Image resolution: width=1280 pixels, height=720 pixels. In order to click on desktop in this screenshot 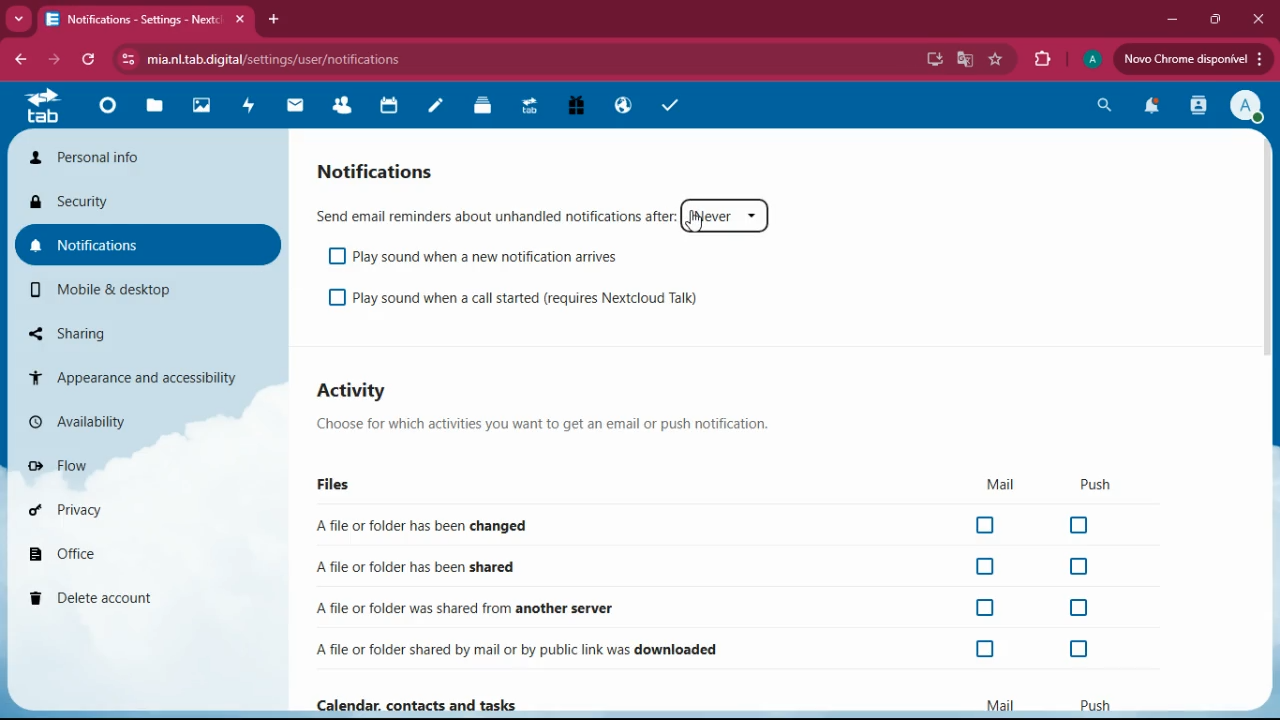, I will do `click(932, 62)`.